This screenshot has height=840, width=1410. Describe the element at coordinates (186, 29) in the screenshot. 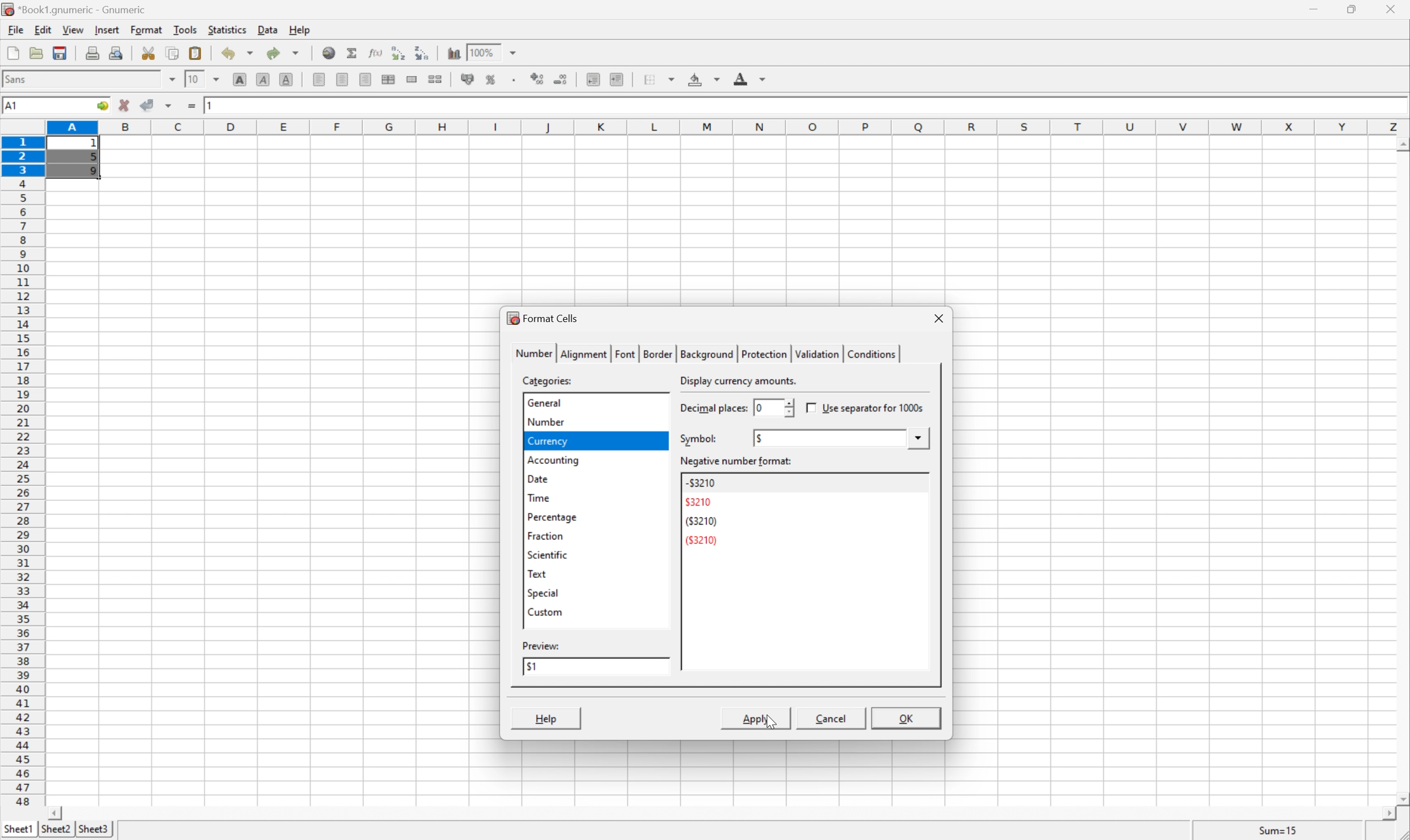

I see `tools` at that location.